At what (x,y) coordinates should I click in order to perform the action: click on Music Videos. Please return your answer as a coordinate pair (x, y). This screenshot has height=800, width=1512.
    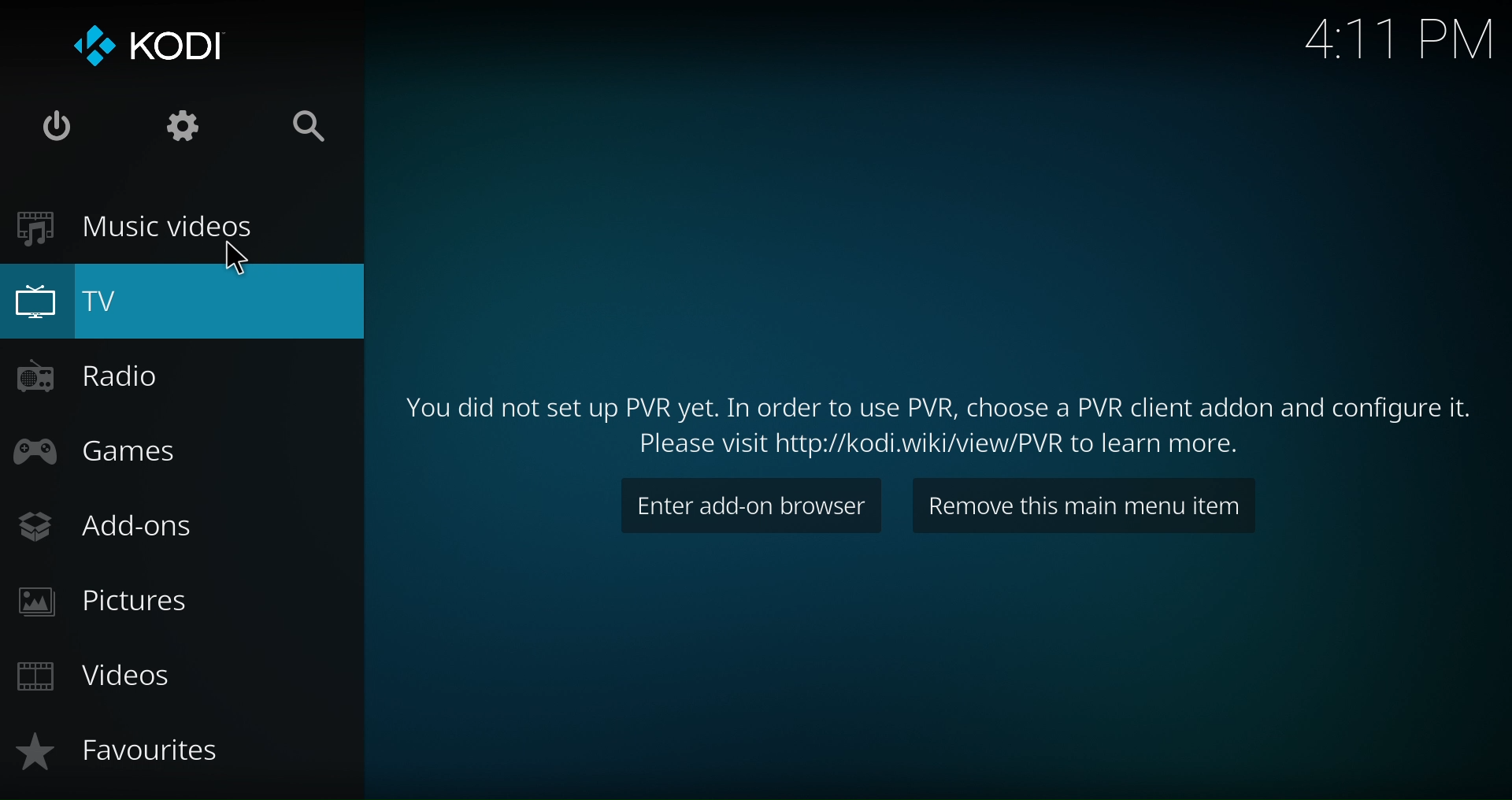
    Looking at the image, I should click on (184, 231).